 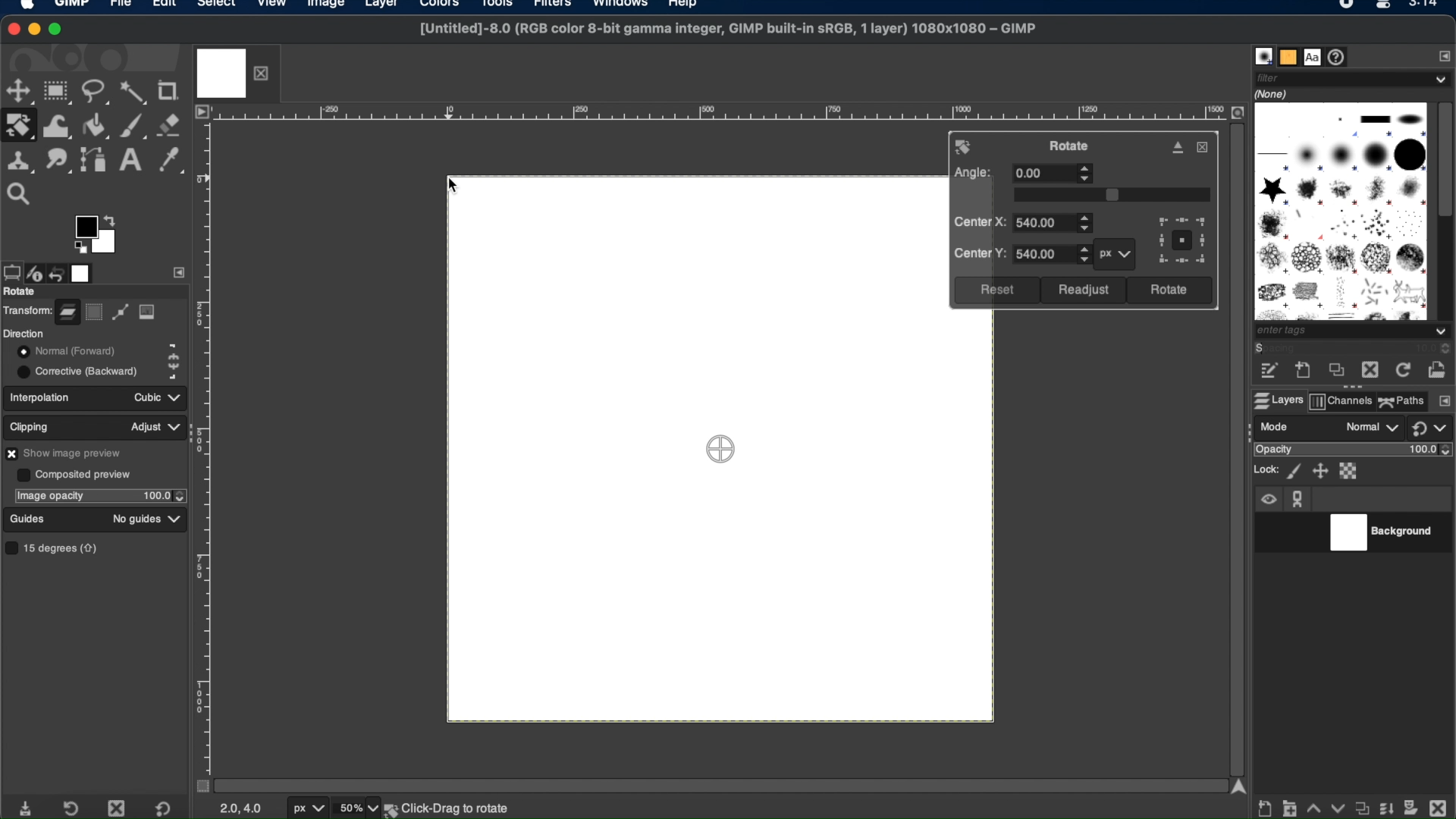 I want to click on mode, so click(x=1276, y=426).